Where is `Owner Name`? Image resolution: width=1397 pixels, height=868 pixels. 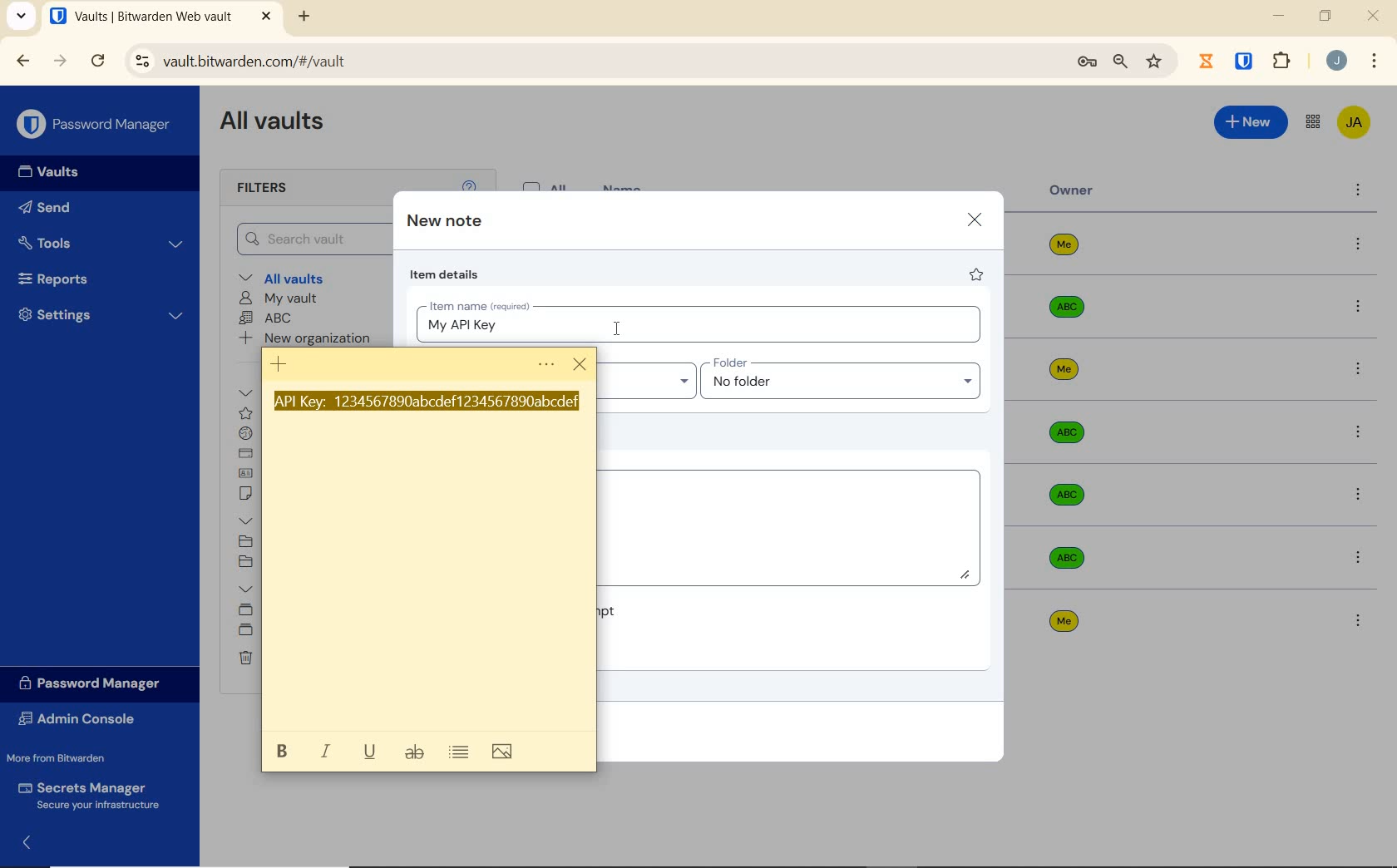
Owner Name is located at coordinates (1064, 433).